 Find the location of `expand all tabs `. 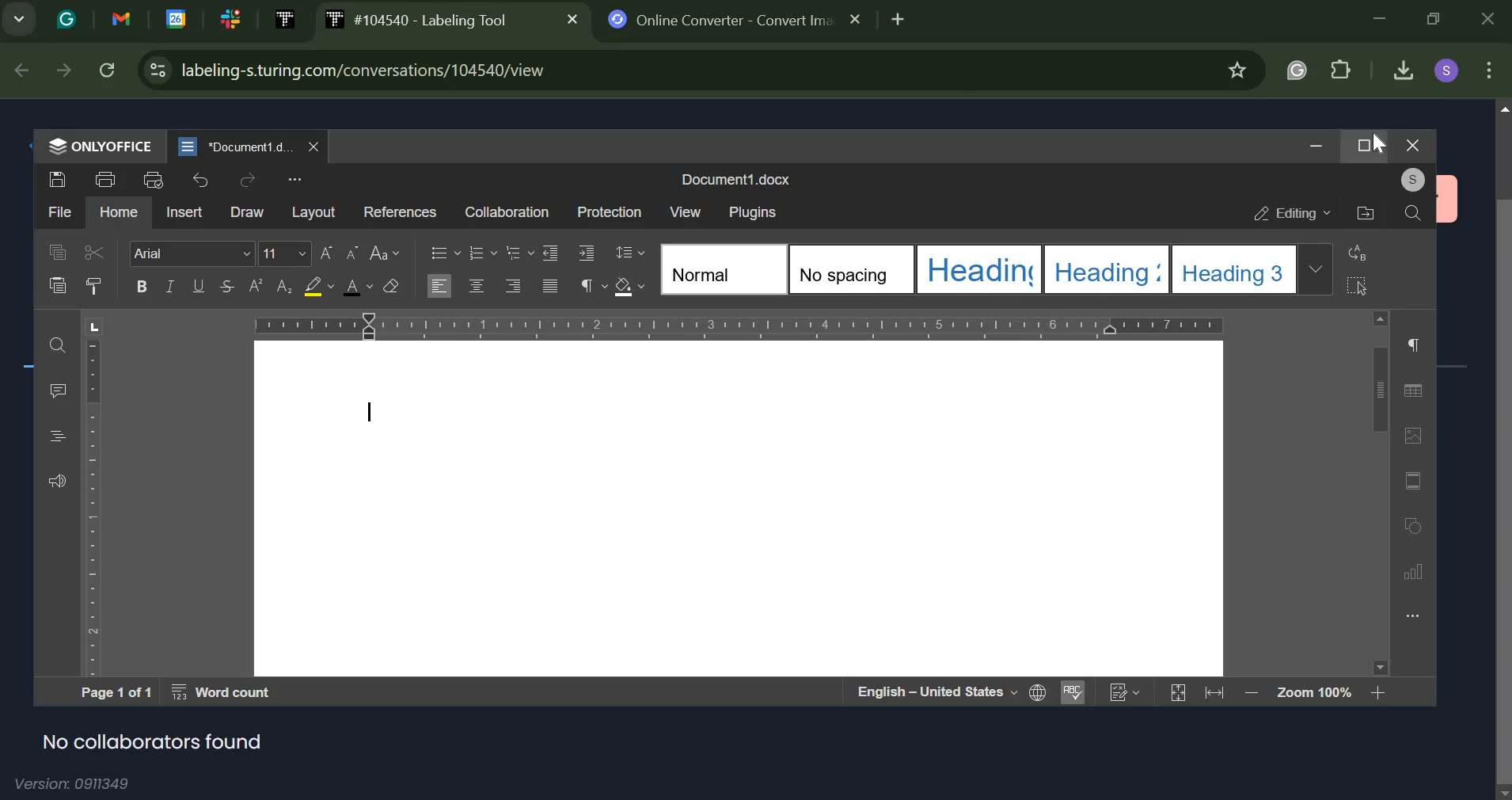

expand all tabs  is located at coordinates (19, 20).